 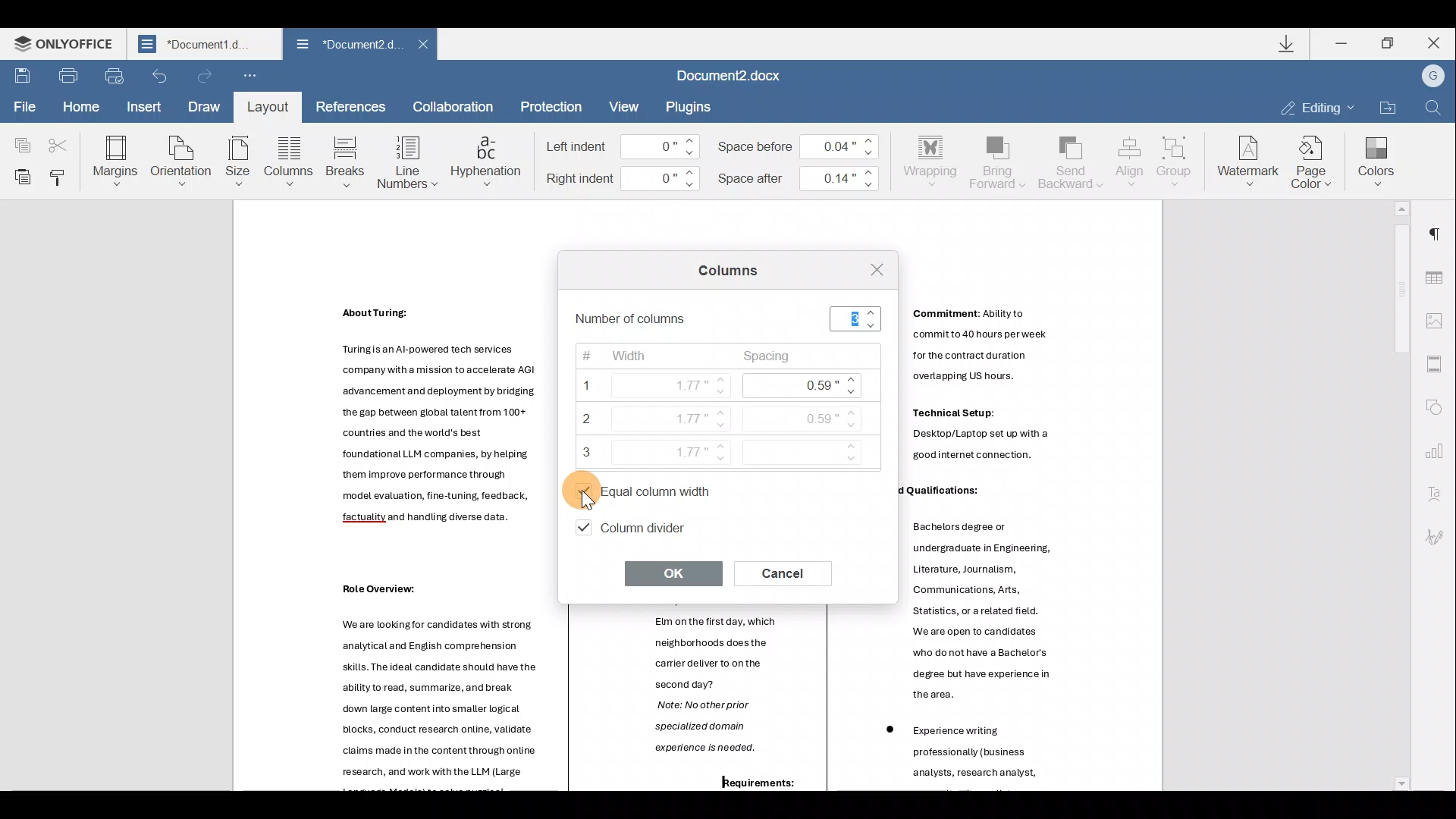 I want to click on Orientation, so click(x=182, y=159).